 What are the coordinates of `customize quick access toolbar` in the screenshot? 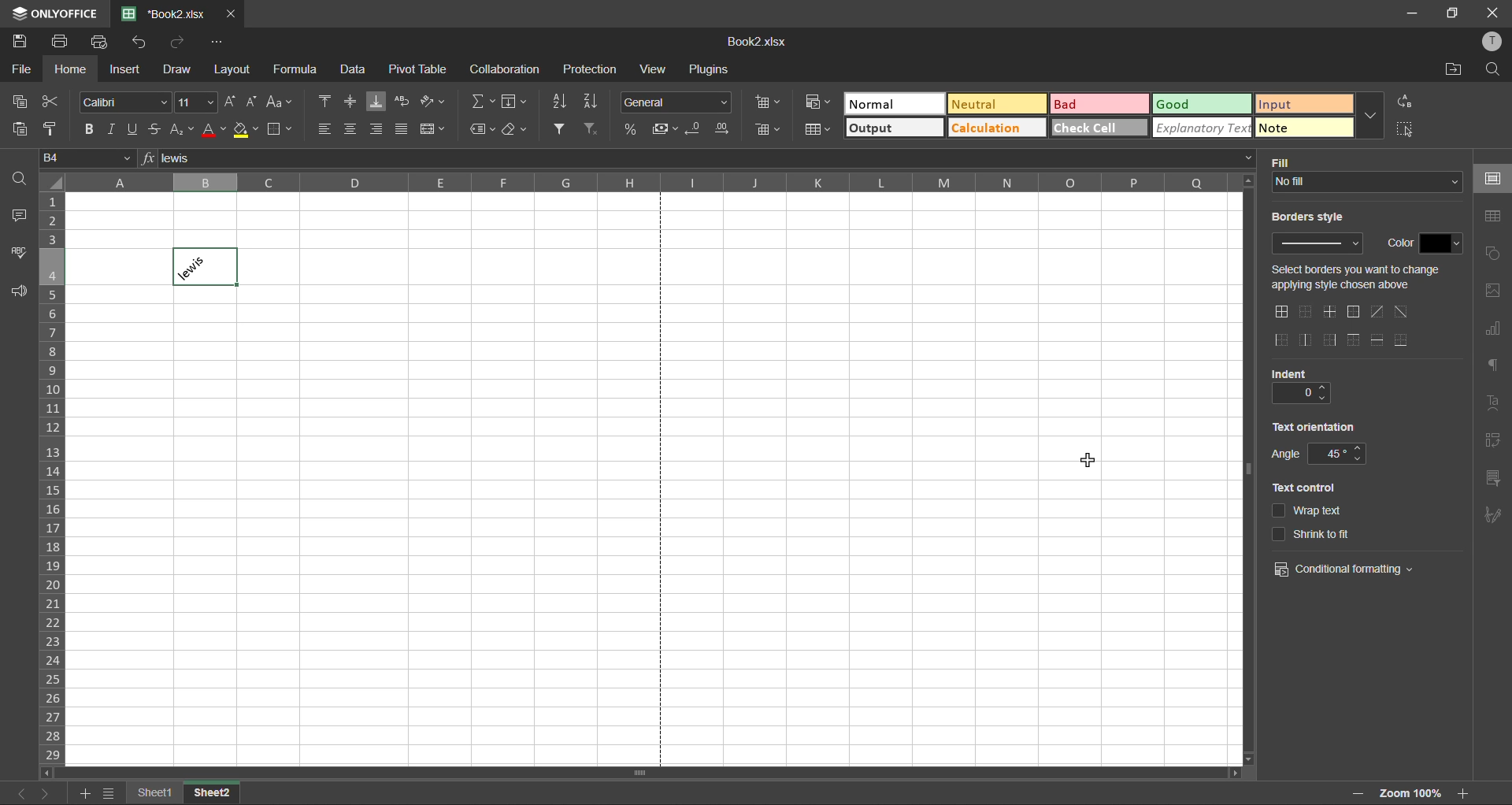 It's located at (219, 43).